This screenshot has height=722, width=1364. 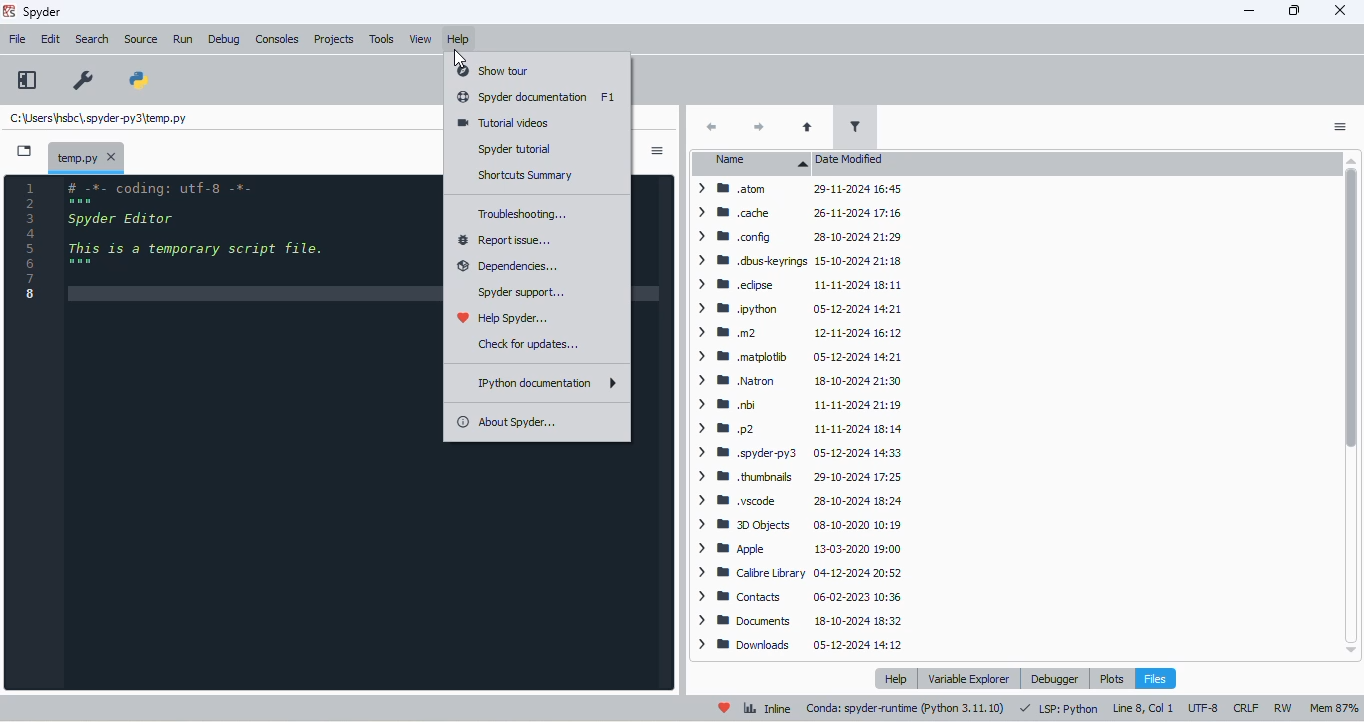 What do you see at coordinates (8, 11) in the screenshot?
I see `logo` at bounding box center [8, 11].